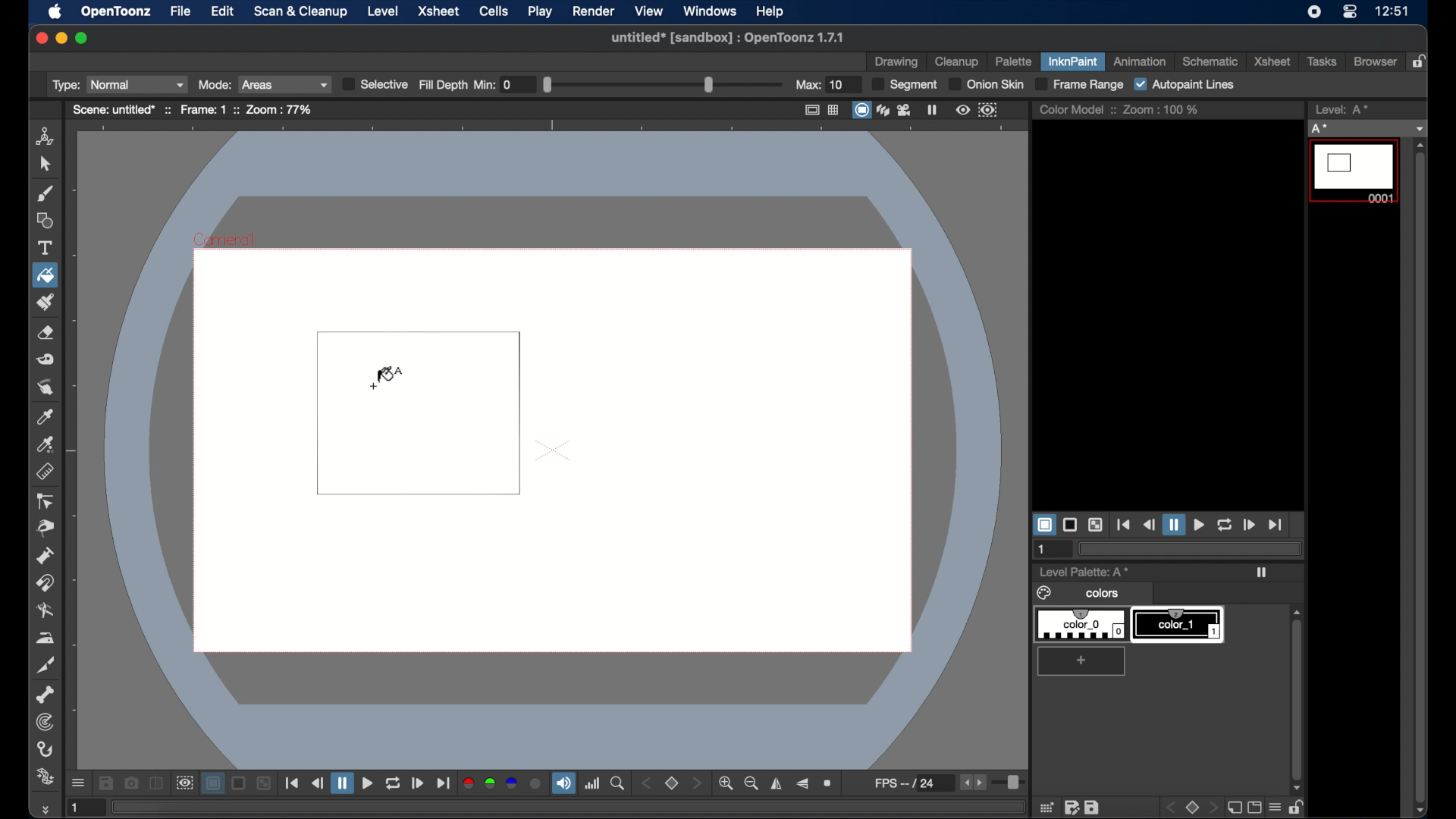 The height and width of the screenshot is (819, 1456). I want to click on picker tool, so click(45, 416).